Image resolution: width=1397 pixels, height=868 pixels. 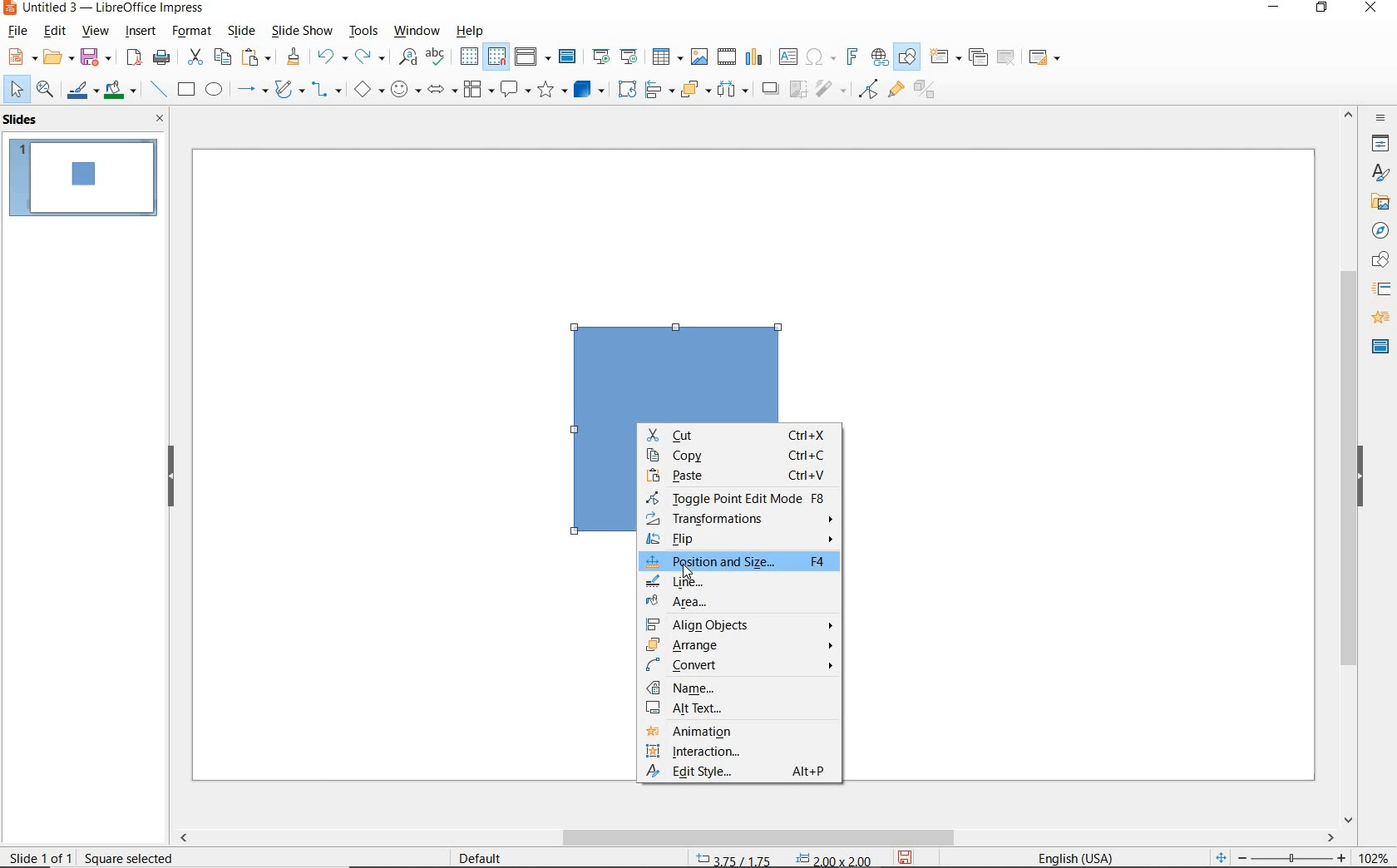 What do you see at coordinates (737, 501) in the screenshot?
I see `TOGGLE POINT EDIT MODE` at bounding box center [737, 501].